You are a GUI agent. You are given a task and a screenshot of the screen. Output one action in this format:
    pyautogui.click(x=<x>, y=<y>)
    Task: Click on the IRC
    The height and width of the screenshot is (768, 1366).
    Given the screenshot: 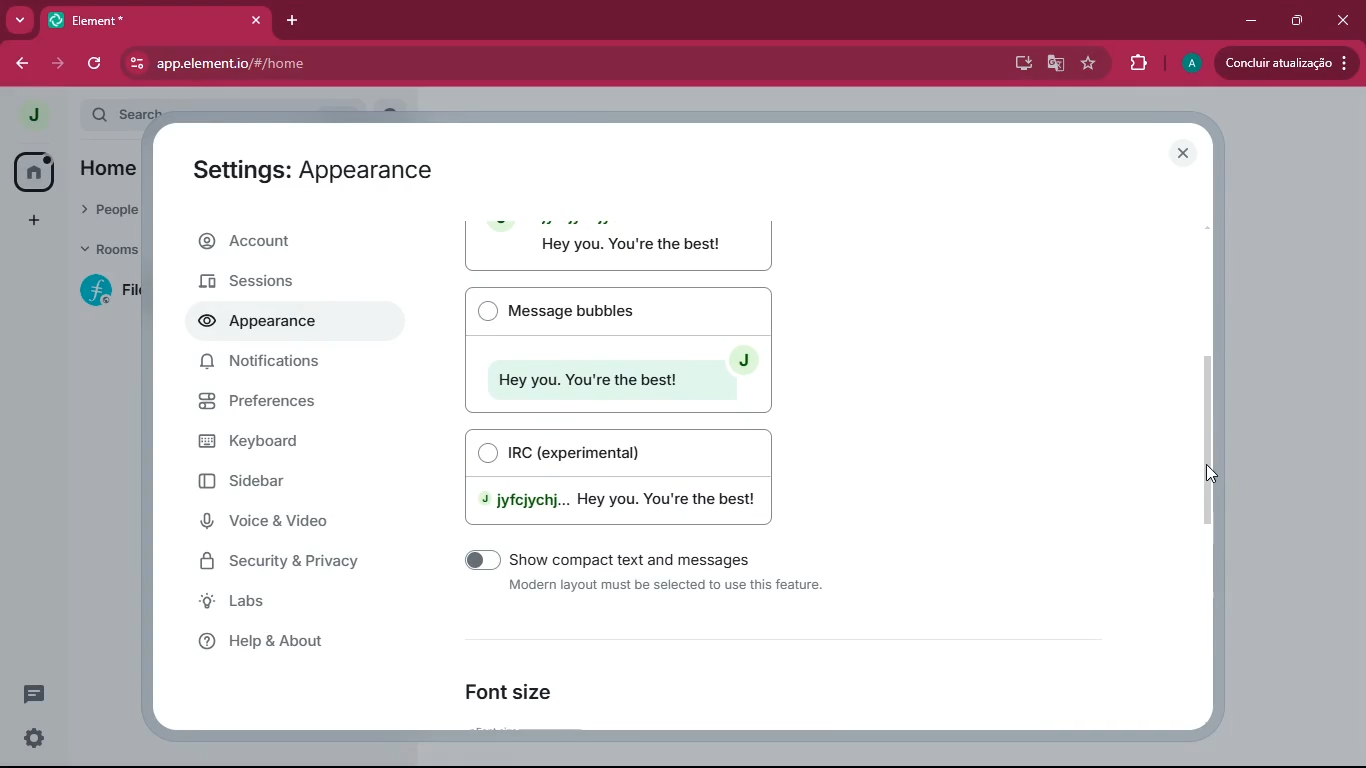 What is the action you would take?
    pyautogui.click(x=626, y=474)
    